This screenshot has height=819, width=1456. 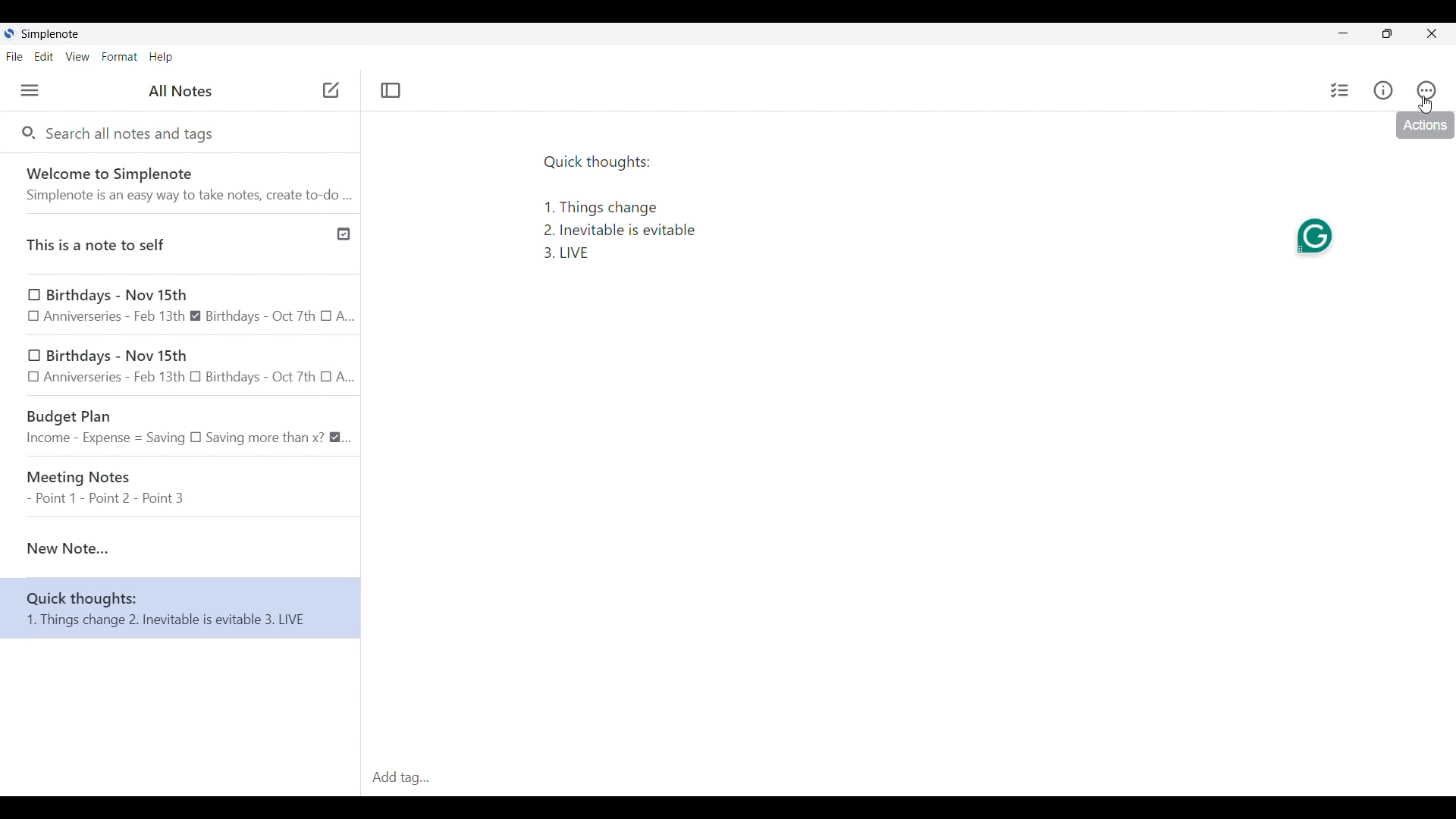 I want to click on View menu, so click(x=78, y=56).